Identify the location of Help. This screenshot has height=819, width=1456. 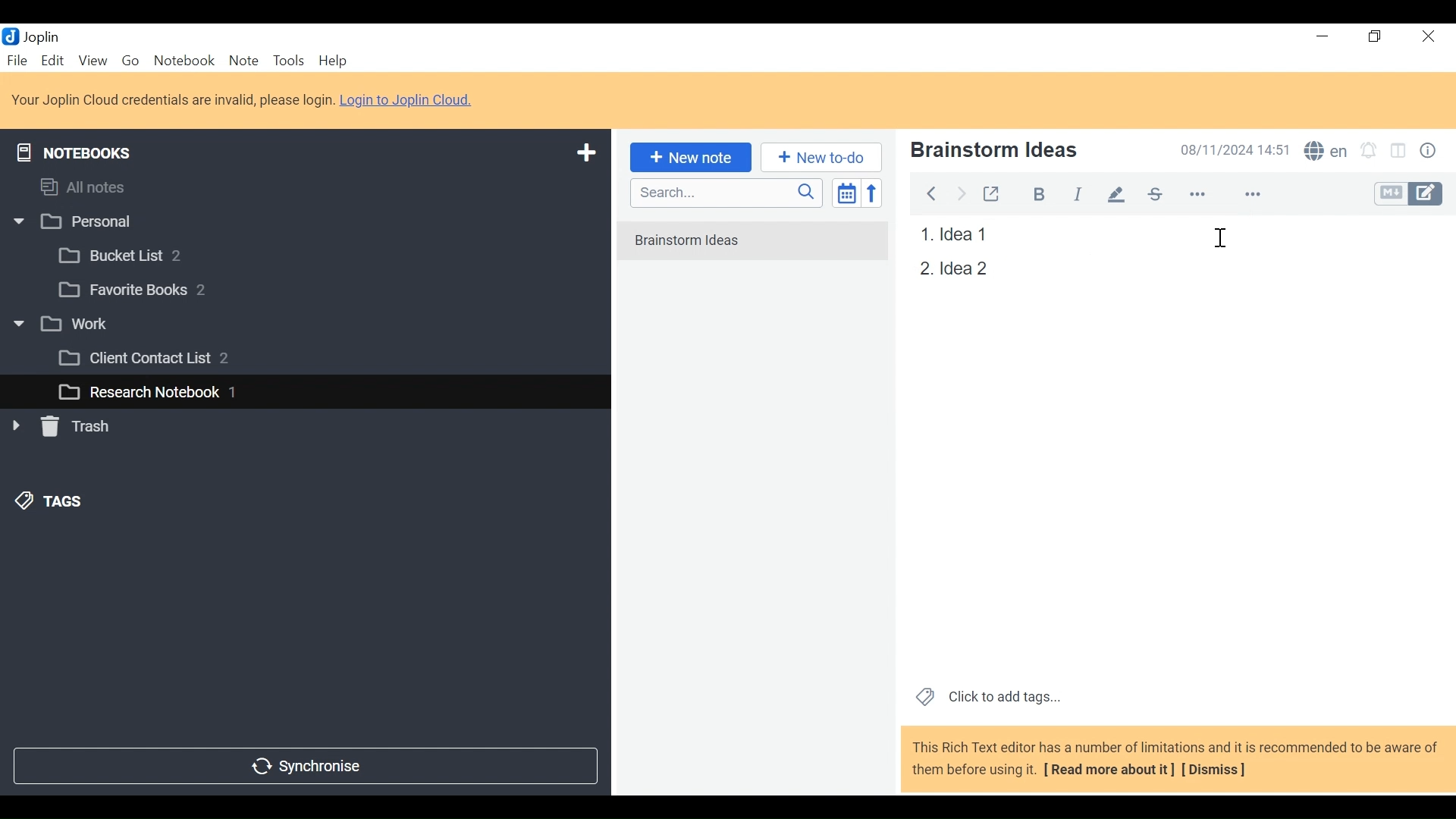
(335, 61).